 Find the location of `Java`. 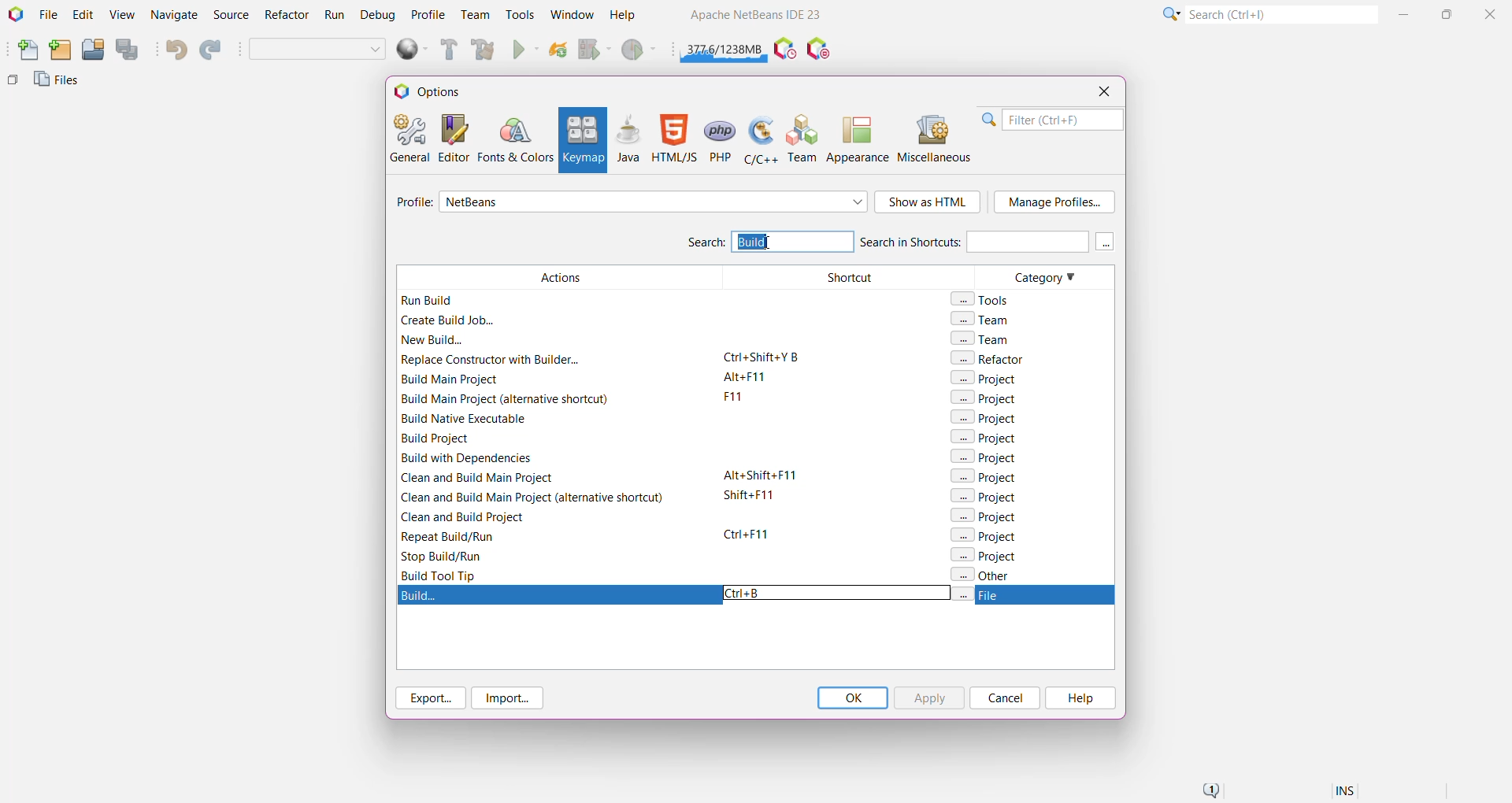

Java is located at coordinates (628, 139).